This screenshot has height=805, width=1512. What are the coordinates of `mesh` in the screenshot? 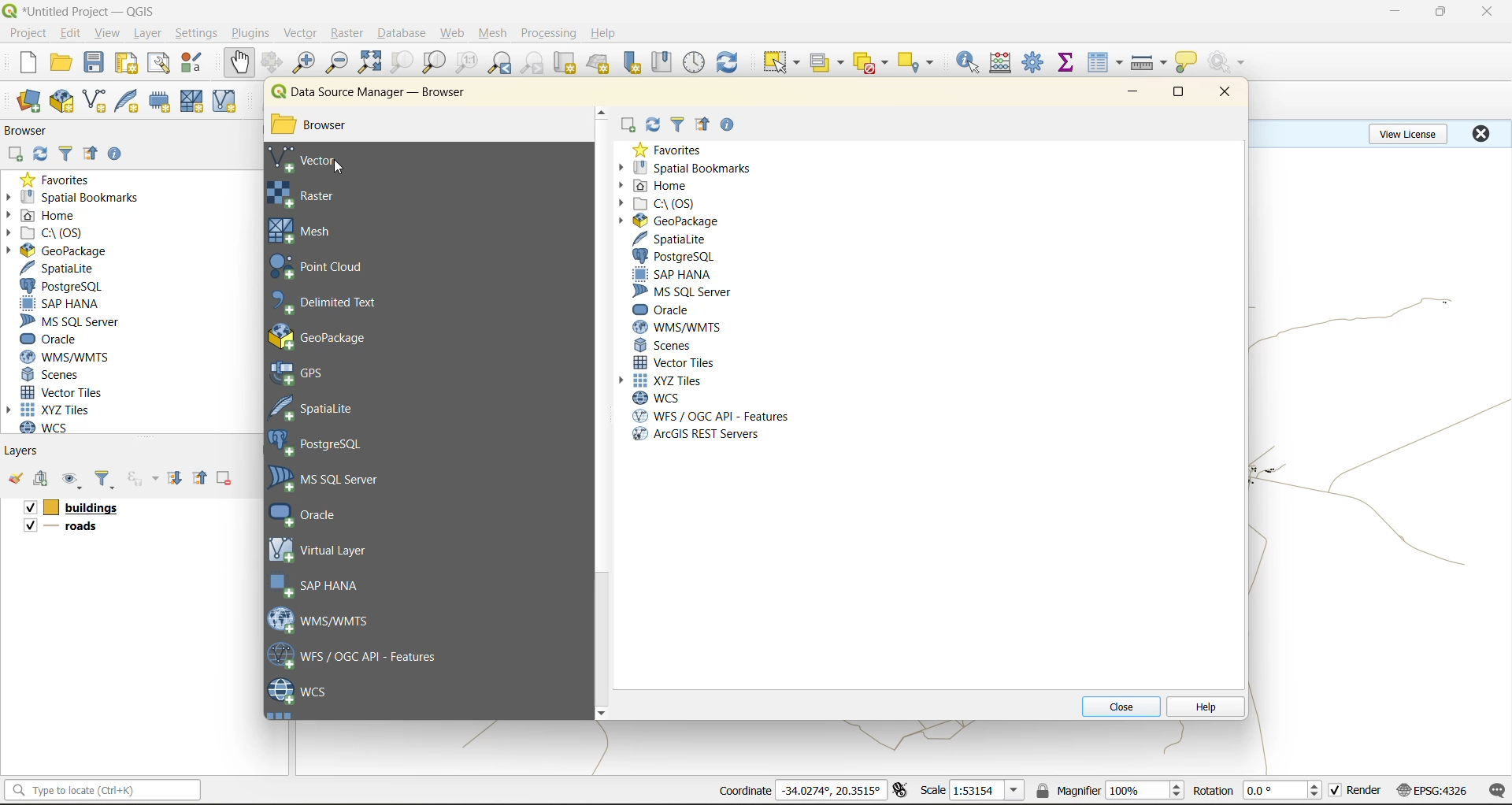 It's located at (308, 231).